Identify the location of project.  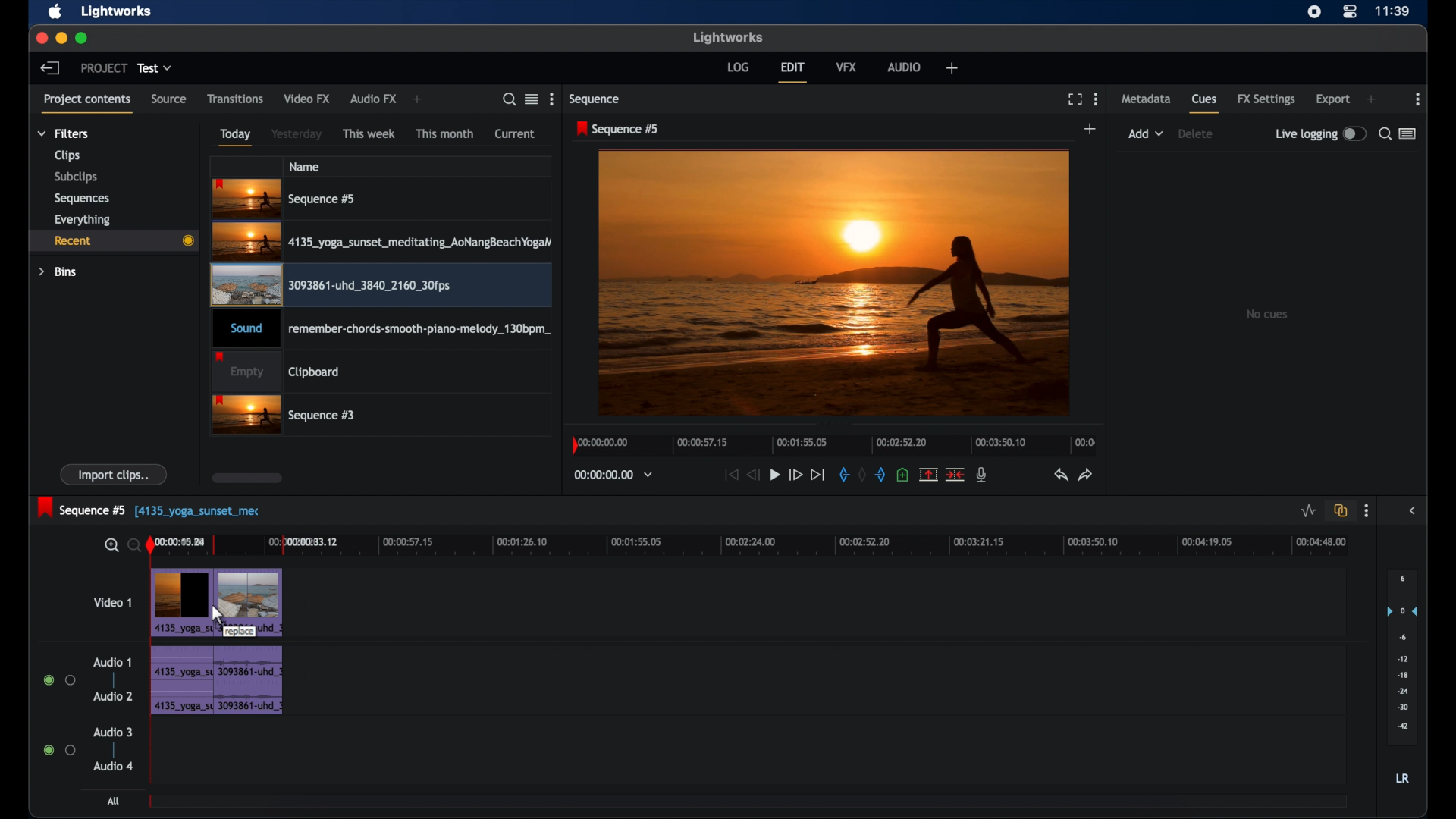
(103, 67).